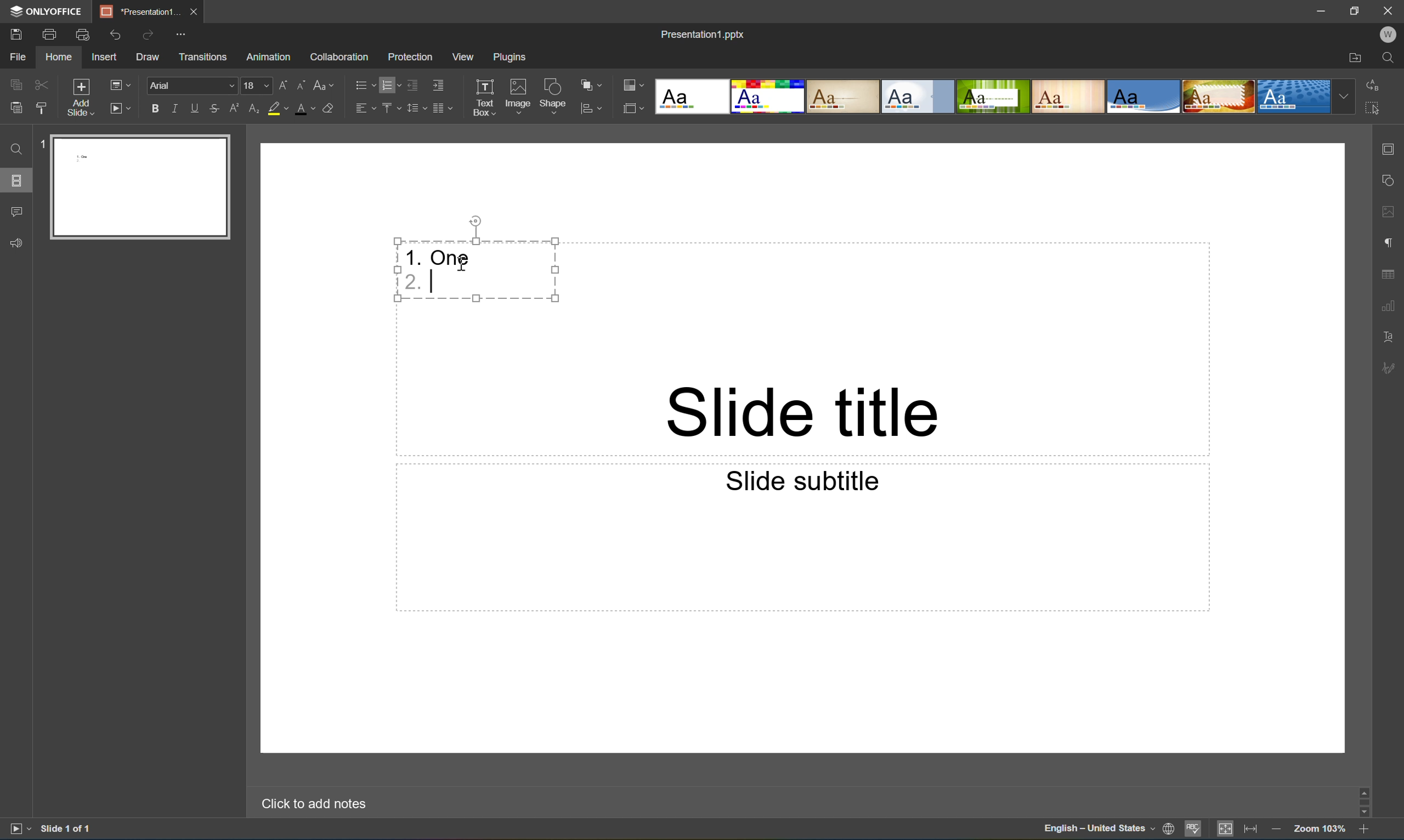  What do you see at coordinates (41, 147) in the screenshot?
I see `1` at bounding box center [41, 147].